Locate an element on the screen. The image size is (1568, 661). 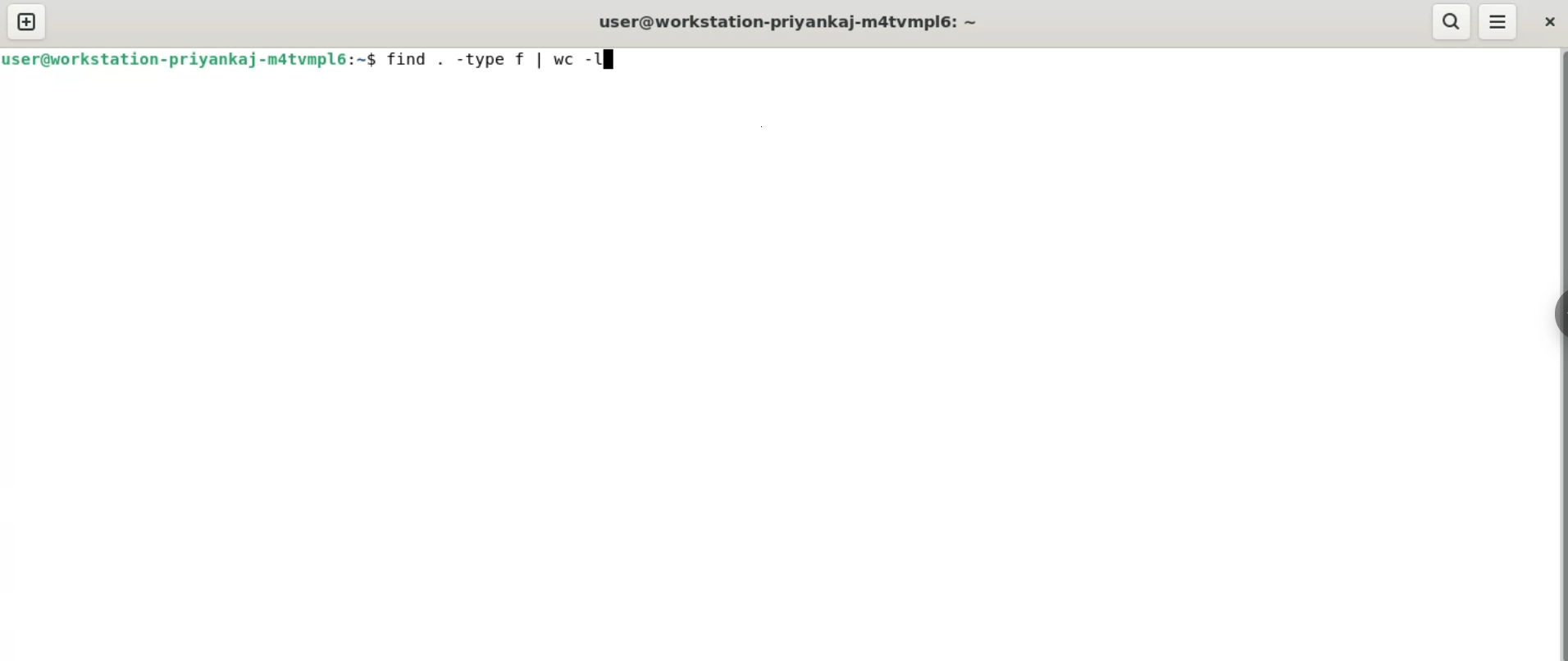
user@workstation-priyankaj-m4tvmlp6:~ is located at coordinates (789, 21).